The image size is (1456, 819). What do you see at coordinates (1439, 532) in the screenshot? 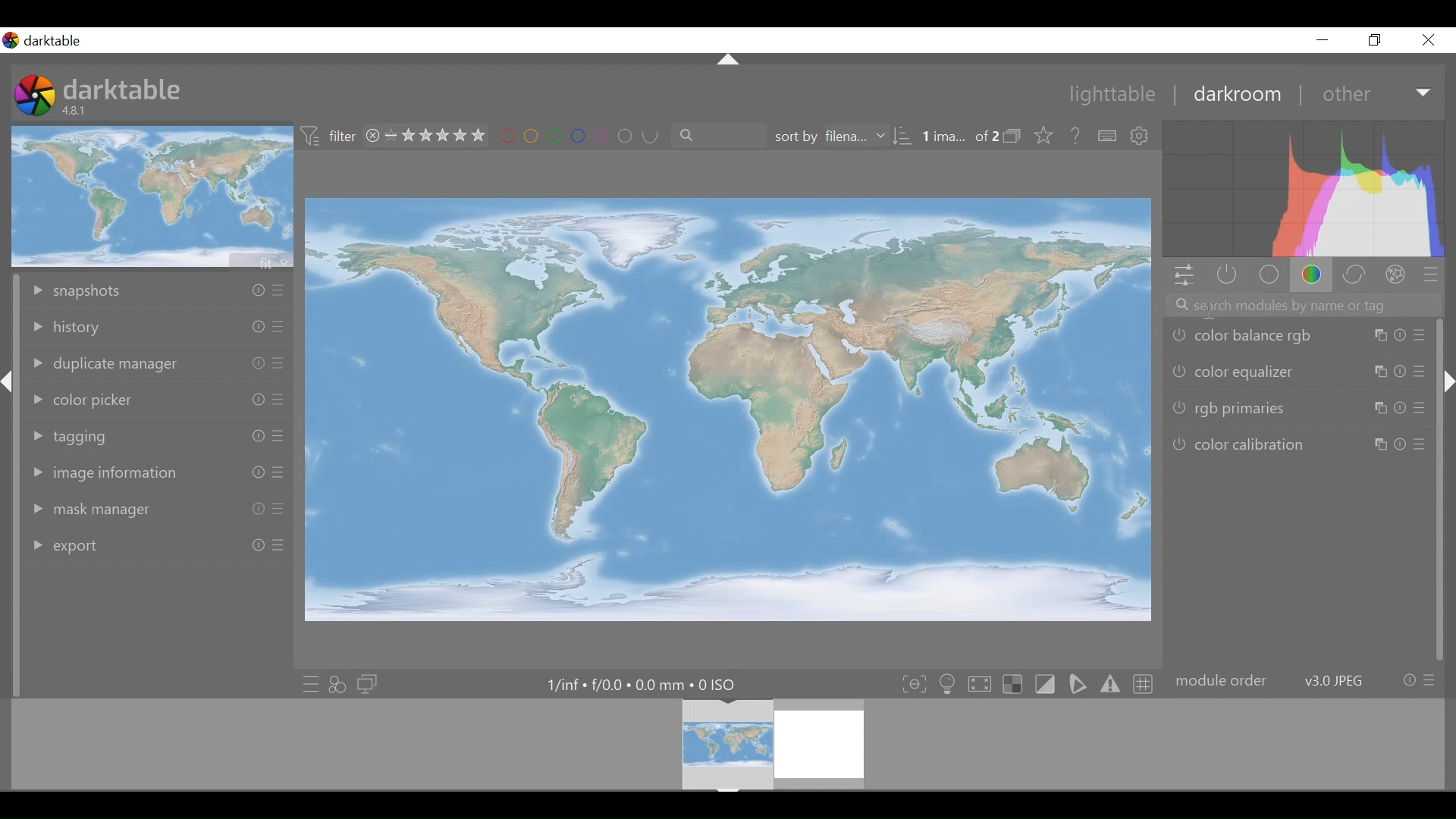
I see `vertical scroll bar` at bounding box center [1439, 532].